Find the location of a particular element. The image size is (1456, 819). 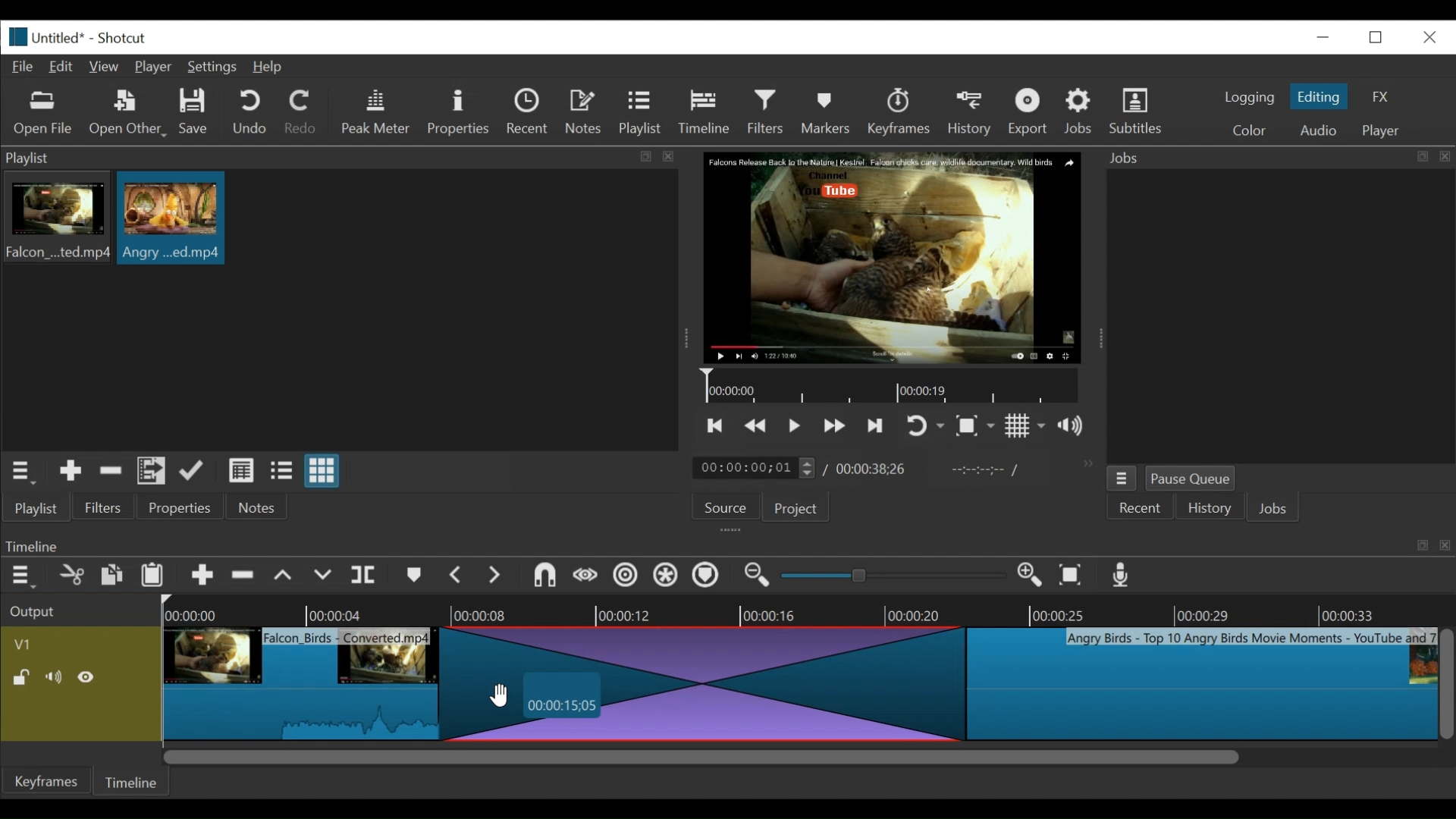

Settings is located at coordinates (215, 69).